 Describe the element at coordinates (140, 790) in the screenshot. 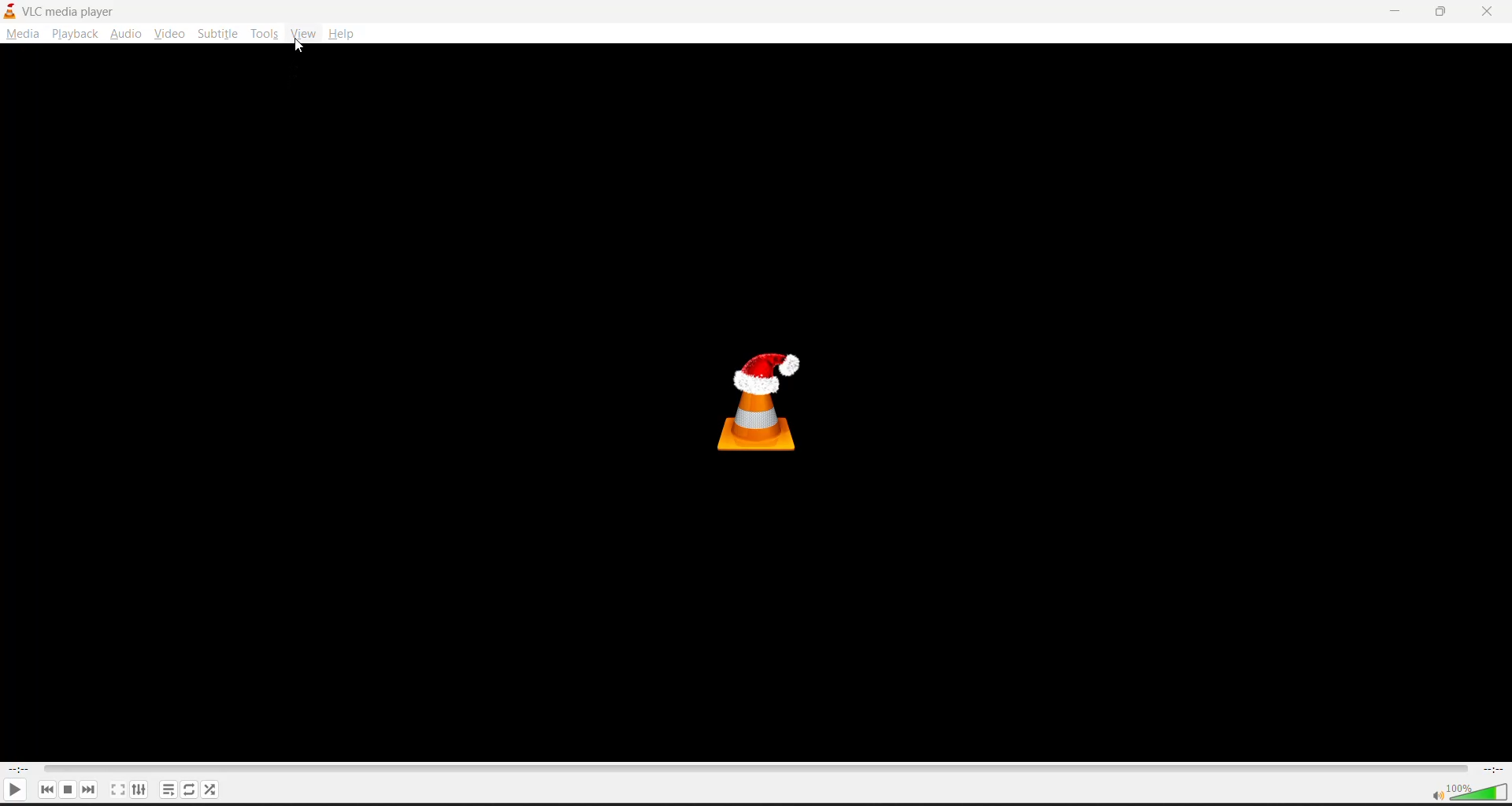

I see `settings` at that location.